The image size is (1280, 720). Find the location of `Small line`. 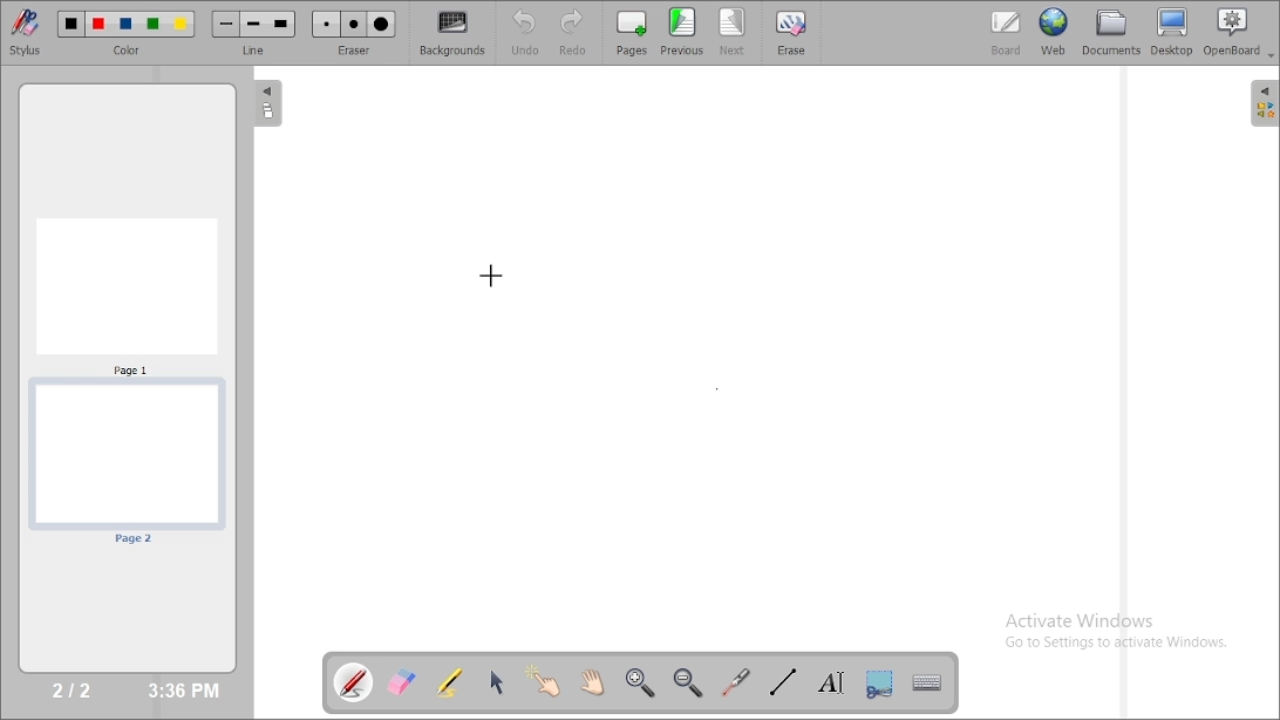

Small line is located at coordinates (226, 24).